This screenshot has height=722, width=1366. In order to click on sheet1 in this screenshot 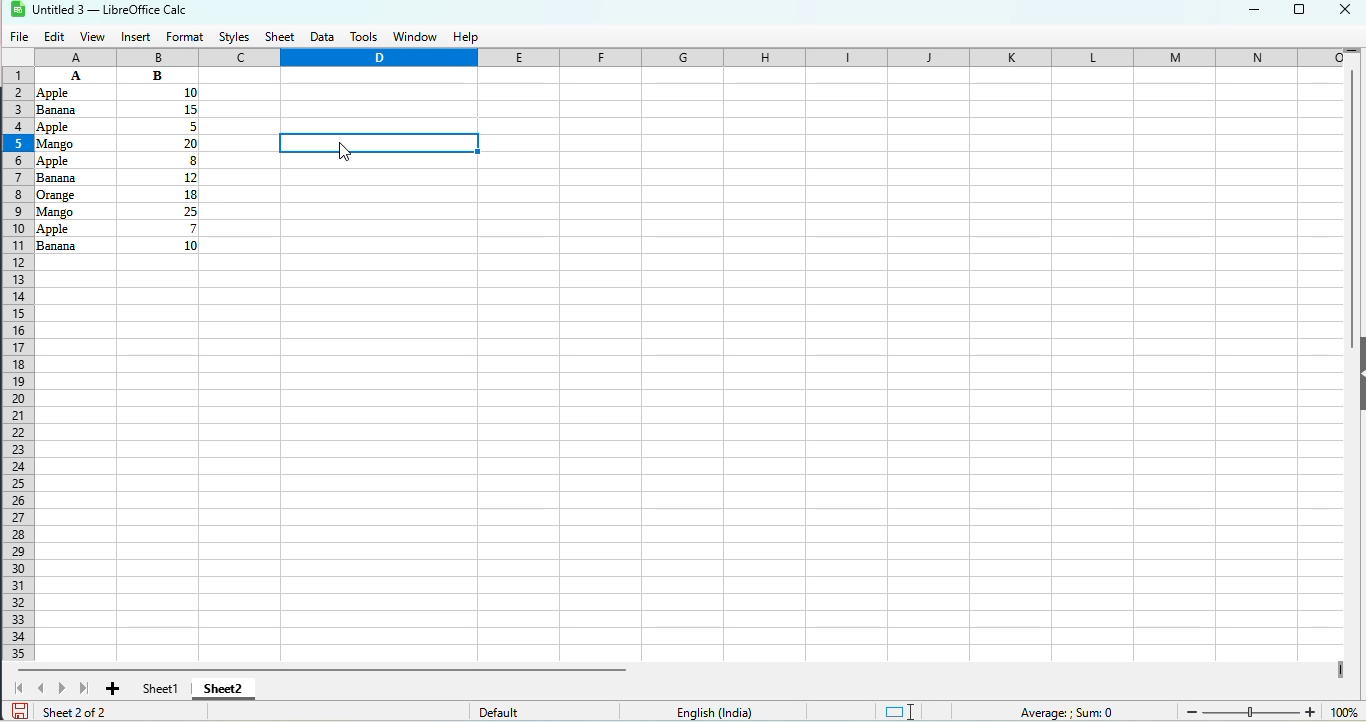, I will do `click(161, 688)`.